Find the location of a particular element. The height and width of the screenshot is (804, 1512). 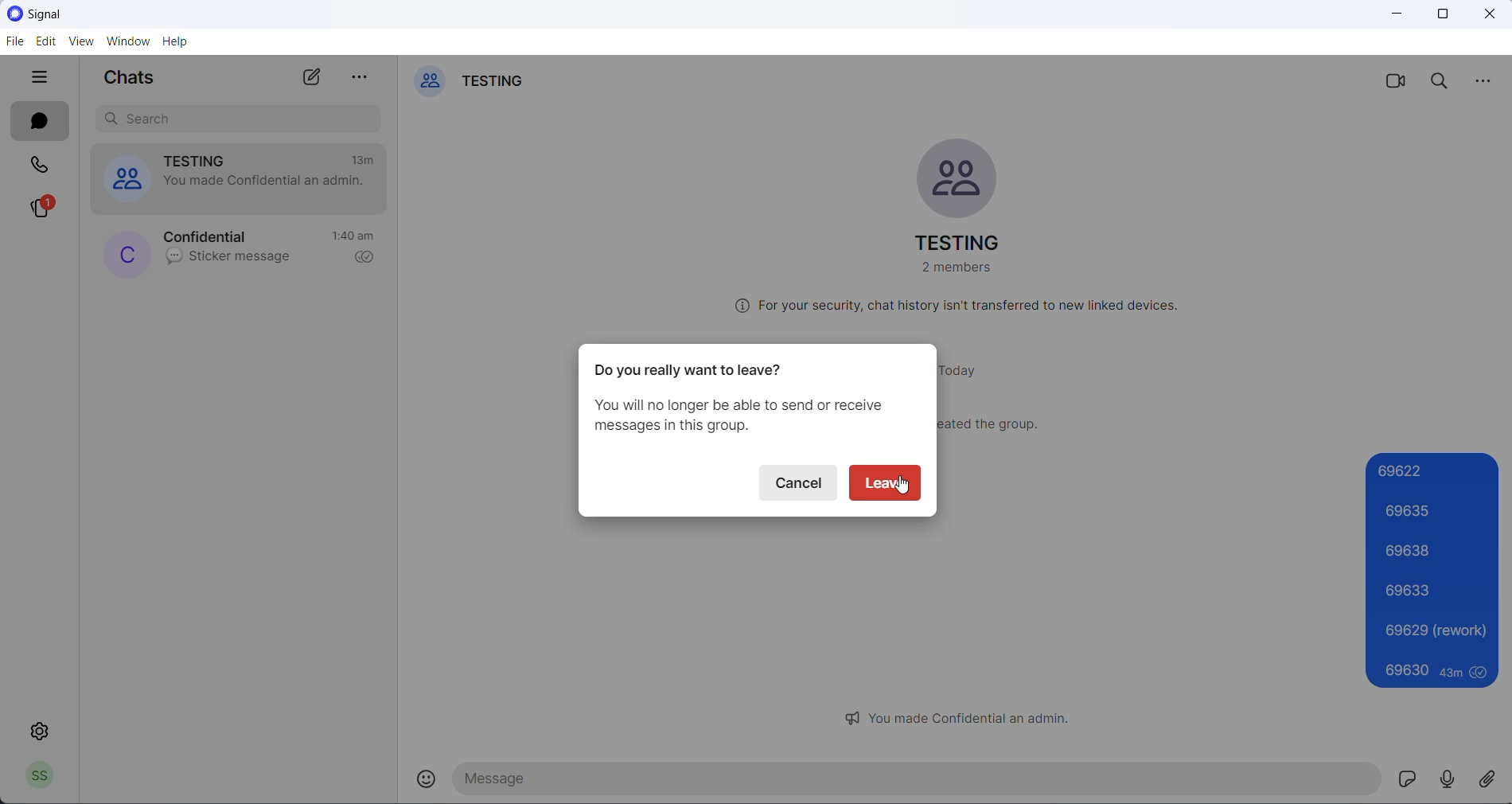

group name is located at coordinates (497, 84).